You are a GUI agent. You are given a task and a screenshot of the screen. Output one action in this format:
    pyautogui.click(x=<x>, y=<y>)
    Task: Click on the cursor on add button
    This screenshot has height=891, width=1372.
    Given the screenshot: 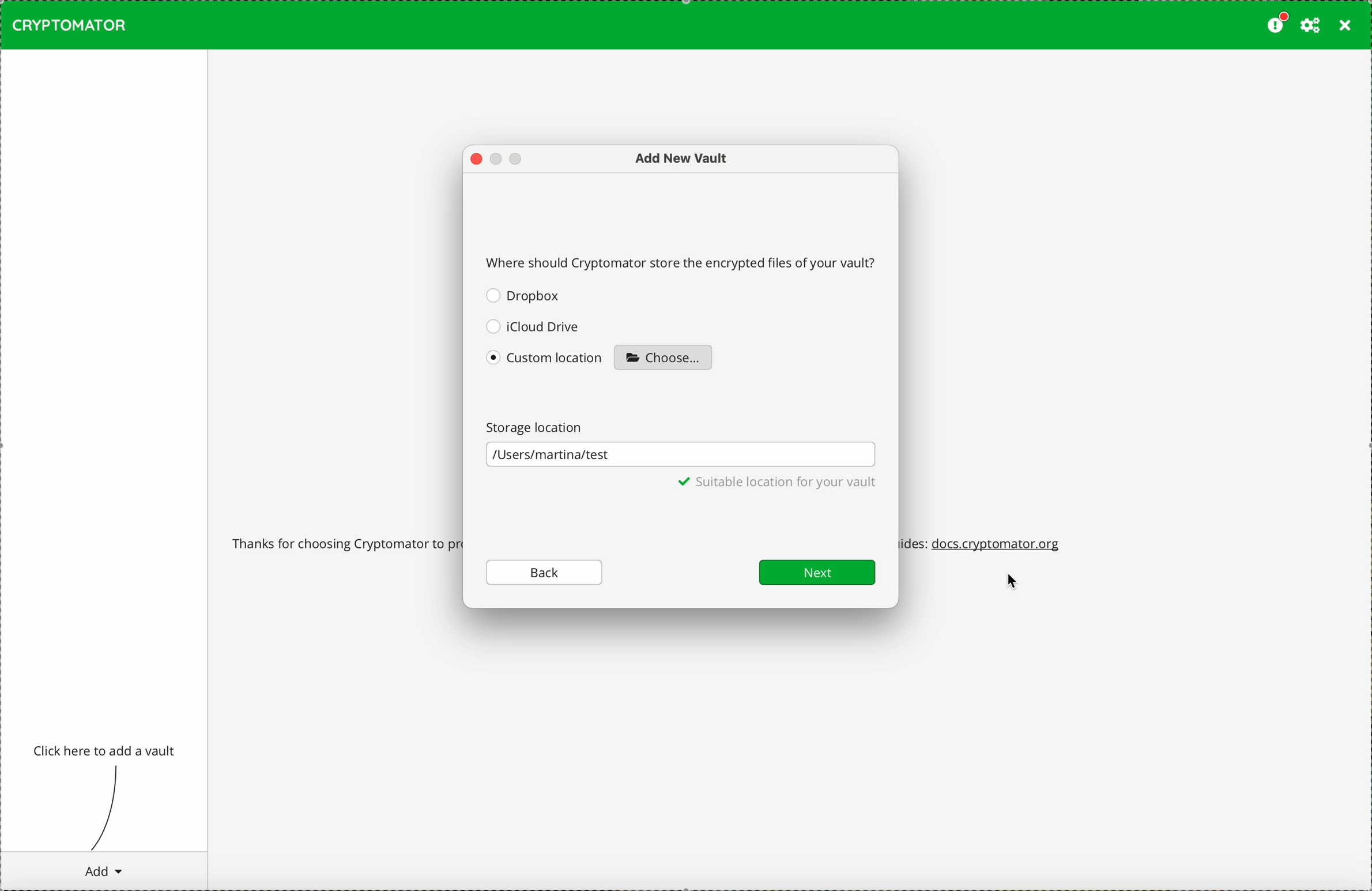 What is the action you would take?
    pyautogui.click(x=103, y=871)
    